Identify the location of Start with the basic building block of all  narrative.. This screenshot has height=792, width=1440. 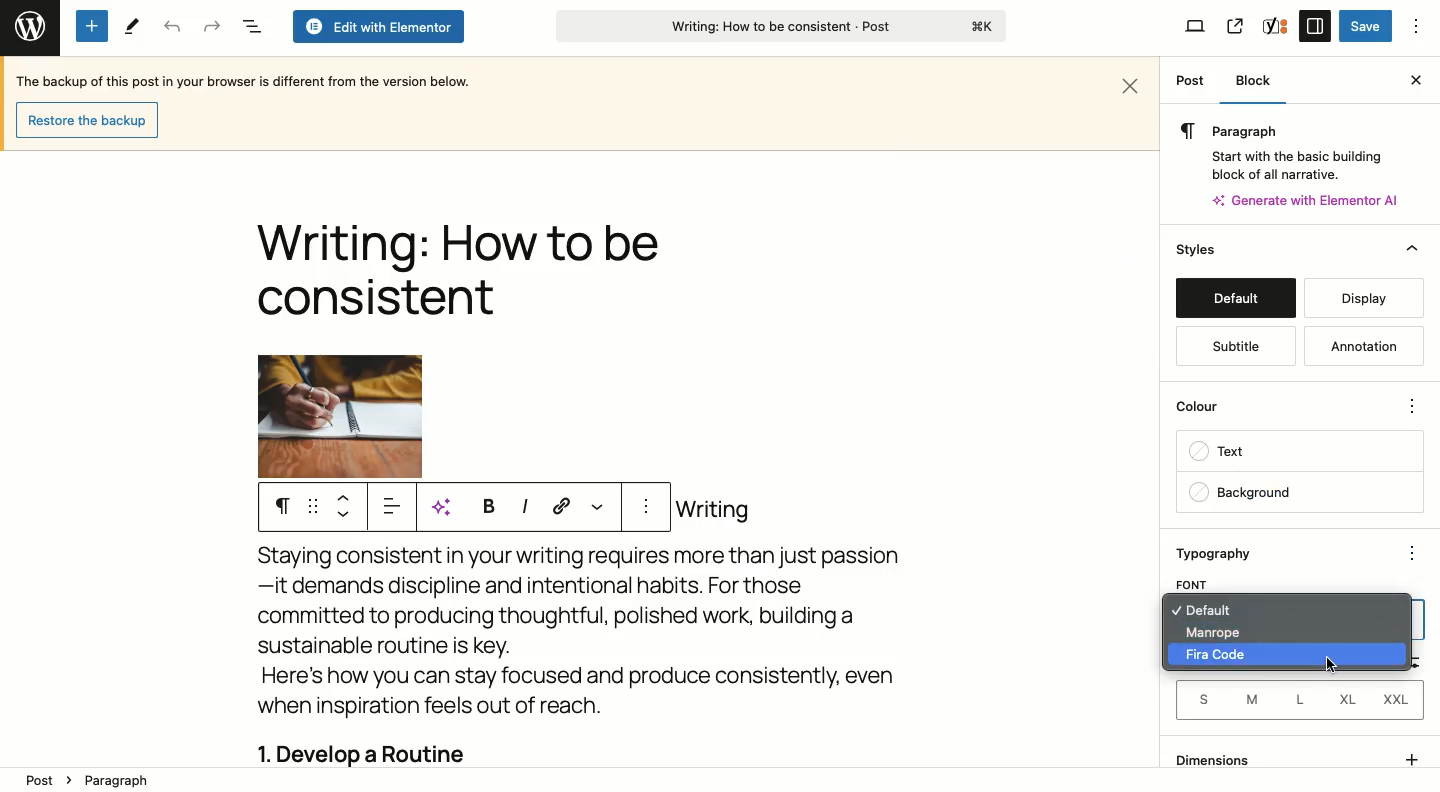
(1295, 162).